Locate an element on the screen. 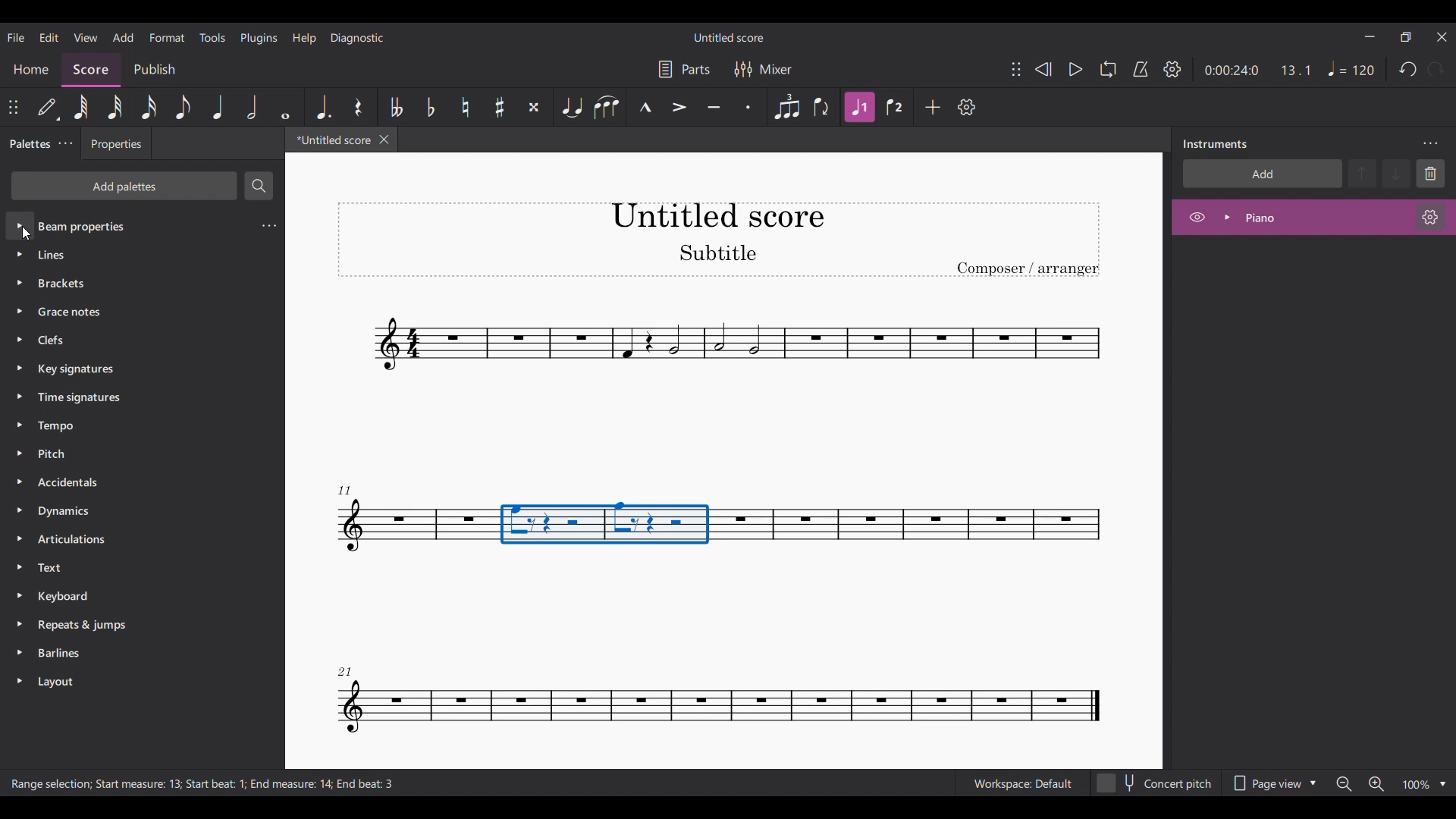  Expand highlighted by cursor is located at coordinates (20, 226).